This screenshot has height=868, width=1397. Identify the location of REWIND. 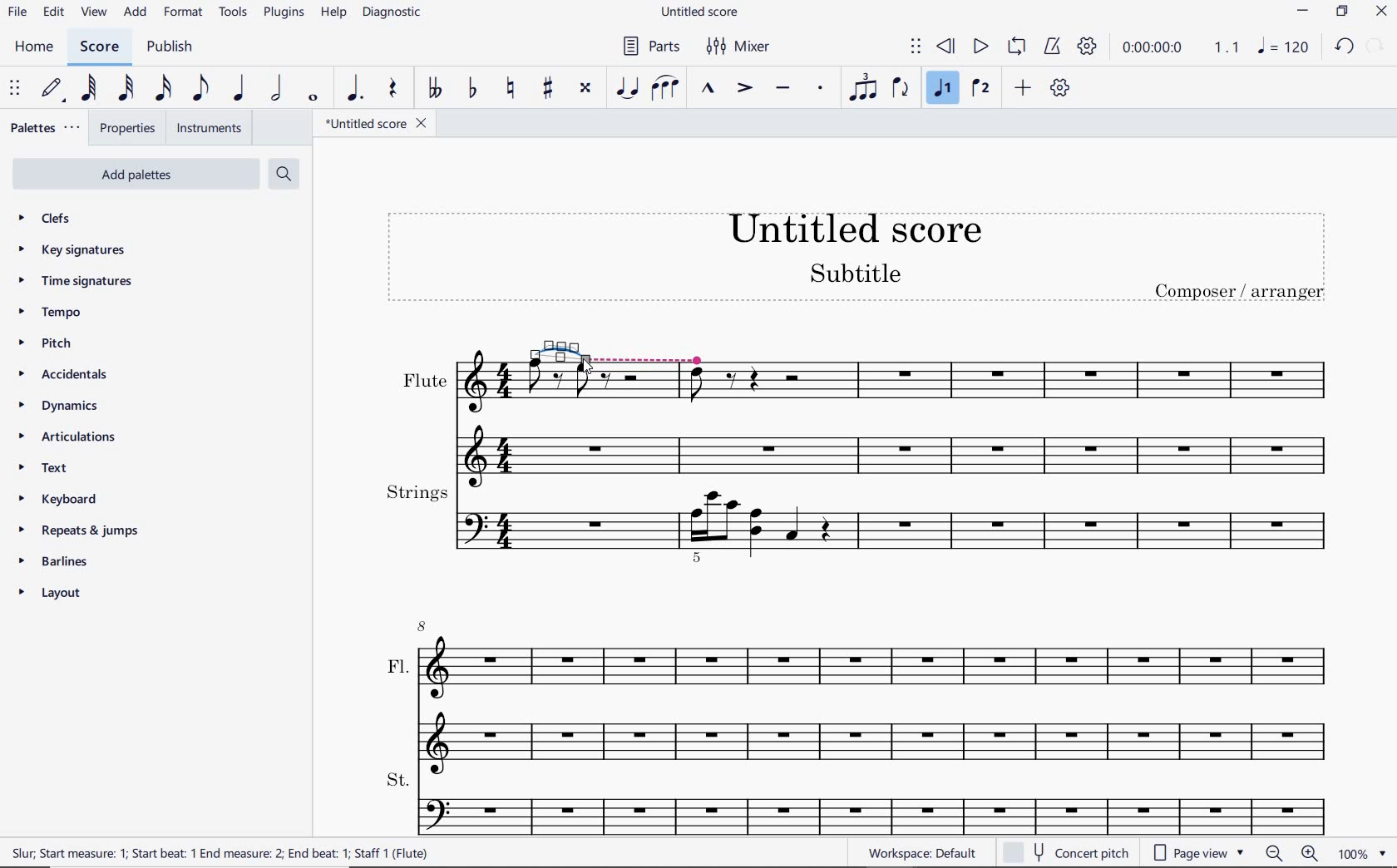
(946, 46).